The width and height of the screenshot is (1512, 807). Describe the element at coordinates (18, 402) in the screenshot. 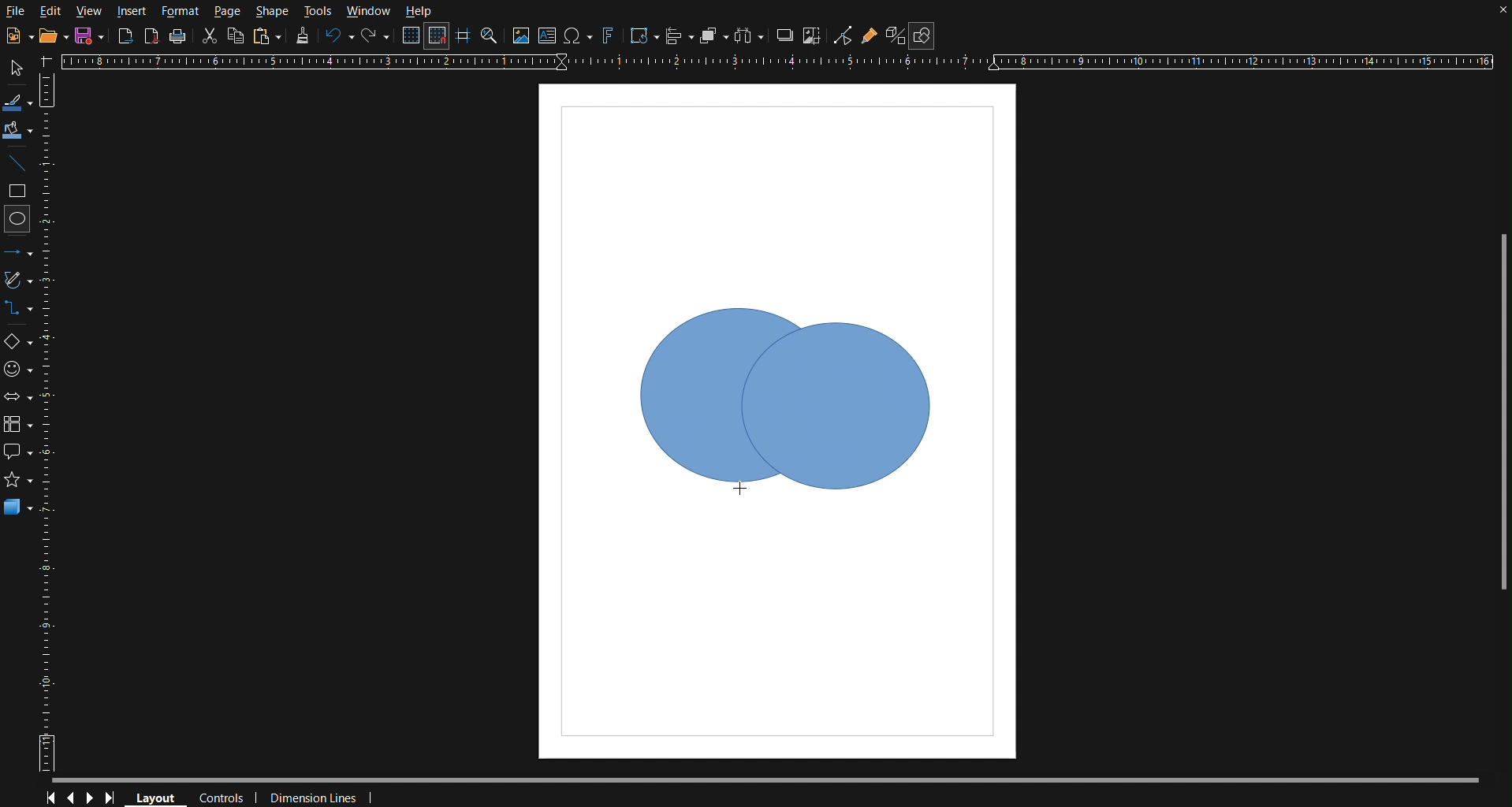

I see `Box Arrows` at that location.